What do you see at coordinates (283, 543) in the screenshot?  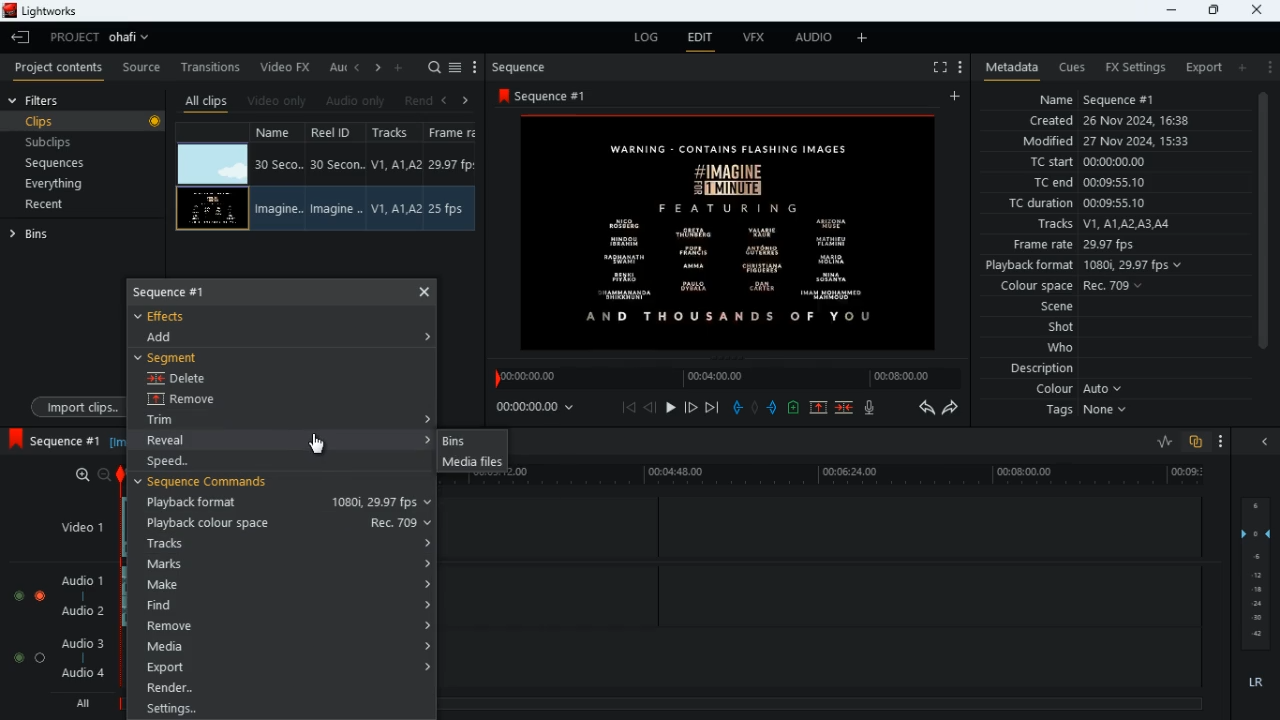 I see `tracks` at bounding box center [283, 543].